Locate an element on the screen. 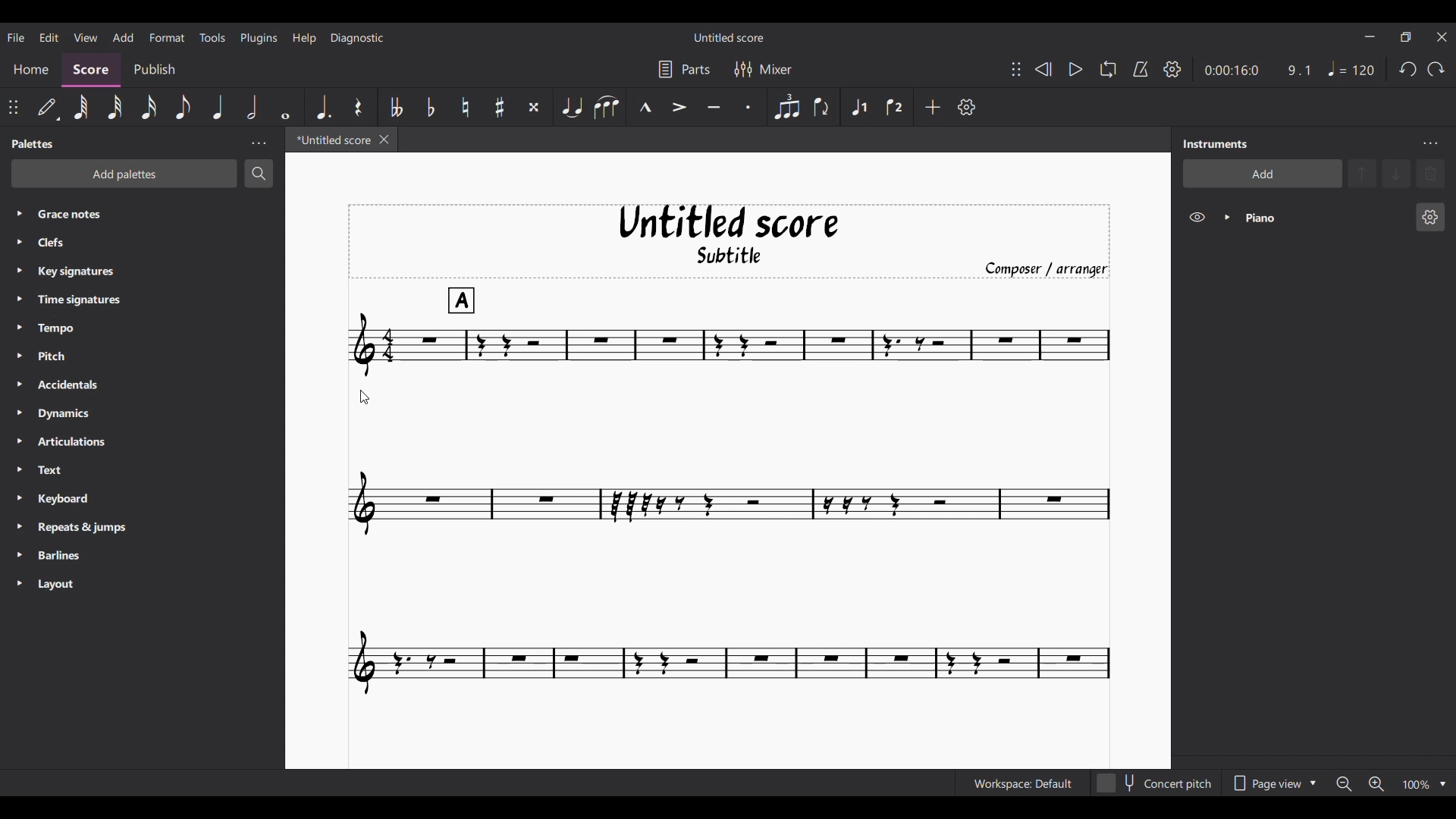 The width and height of the screenshot is (1456, 819). Metronome is located at coordinates (1141, 69).